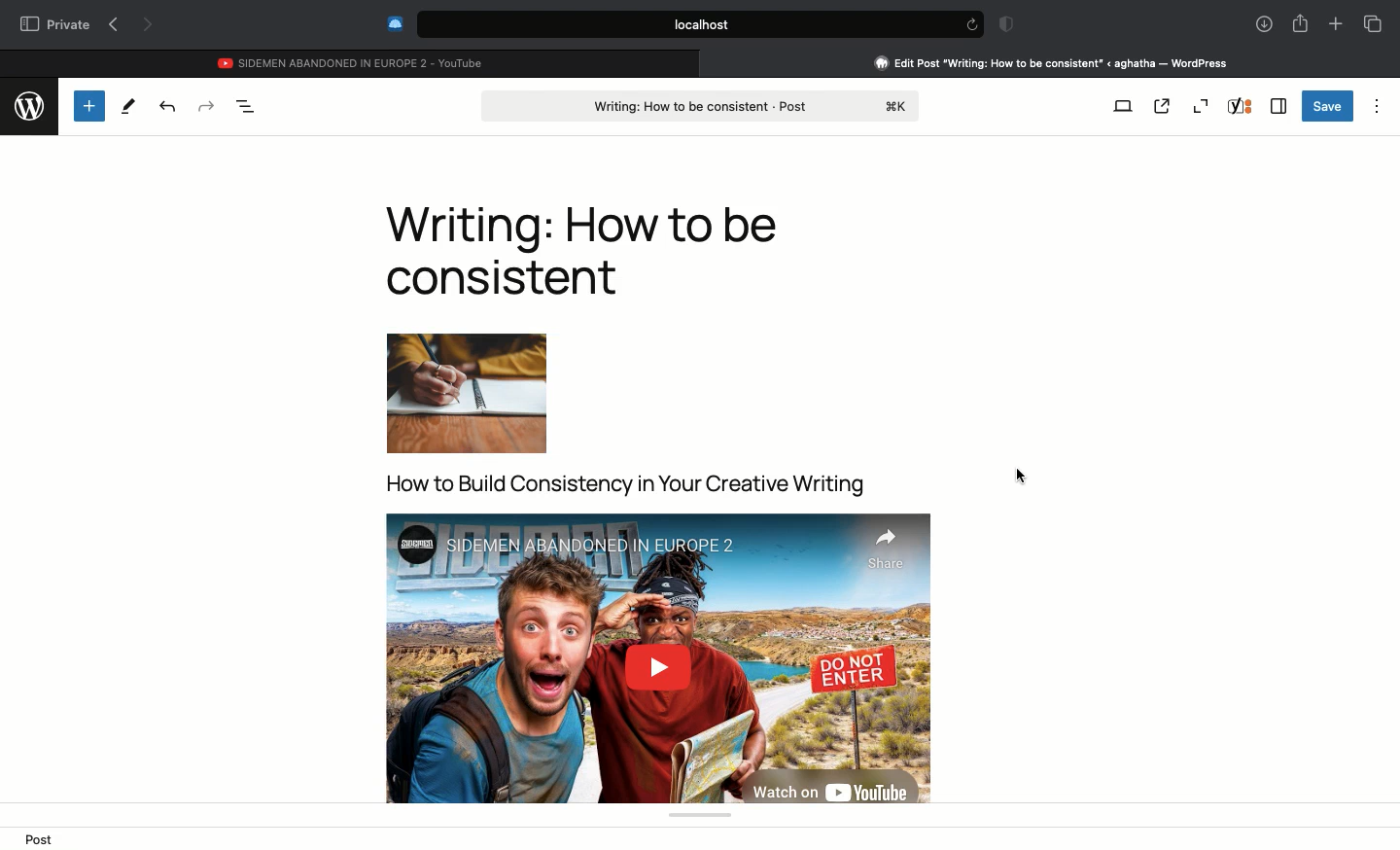 This screenshot has width=1400, height=850. Describe the element at coordinates (1328, 106) in the screenshot. I see `Save` at that location.